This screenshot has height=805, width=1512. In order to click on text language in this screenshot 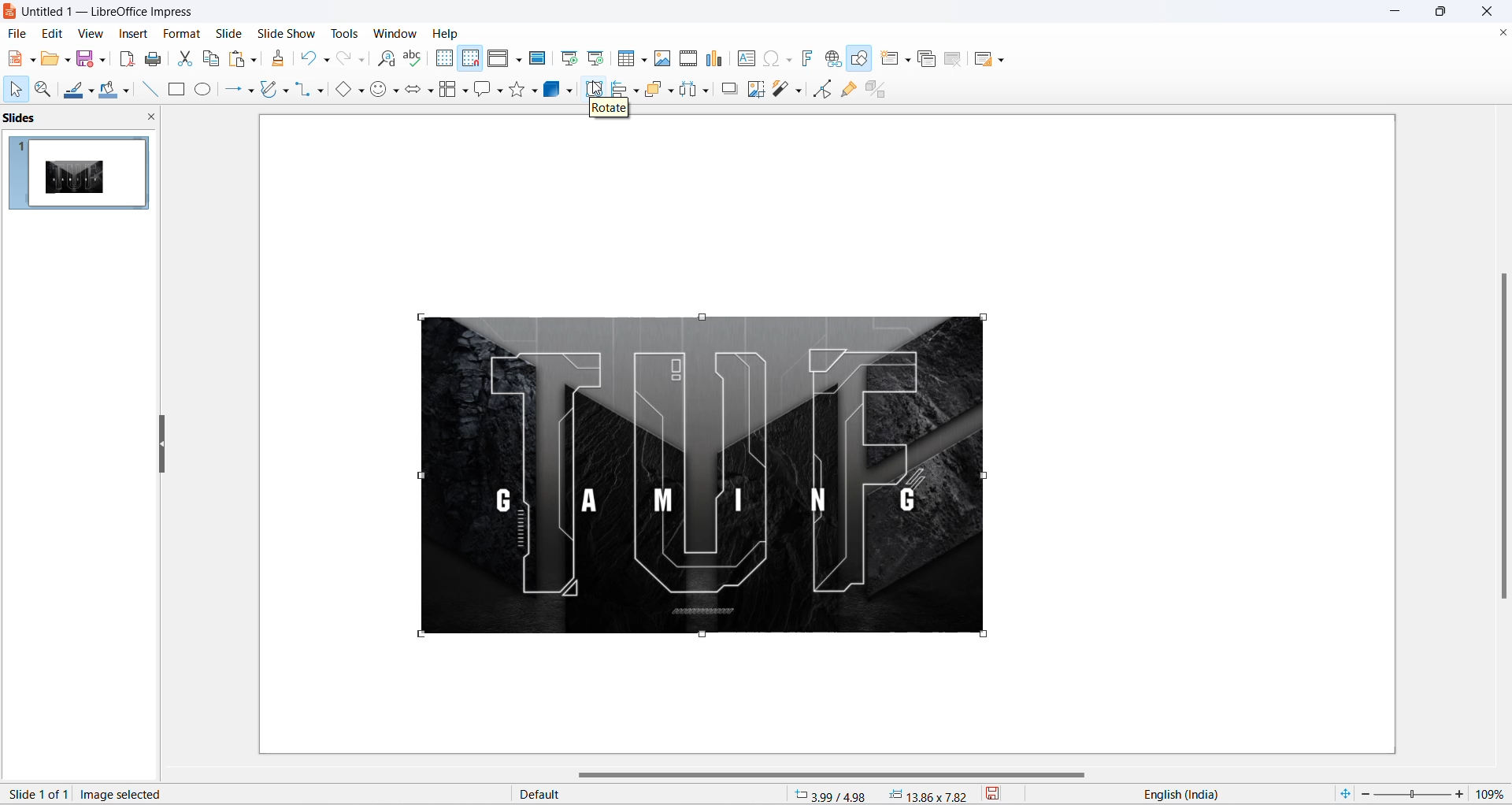, I will do `click(1220, 794)`.